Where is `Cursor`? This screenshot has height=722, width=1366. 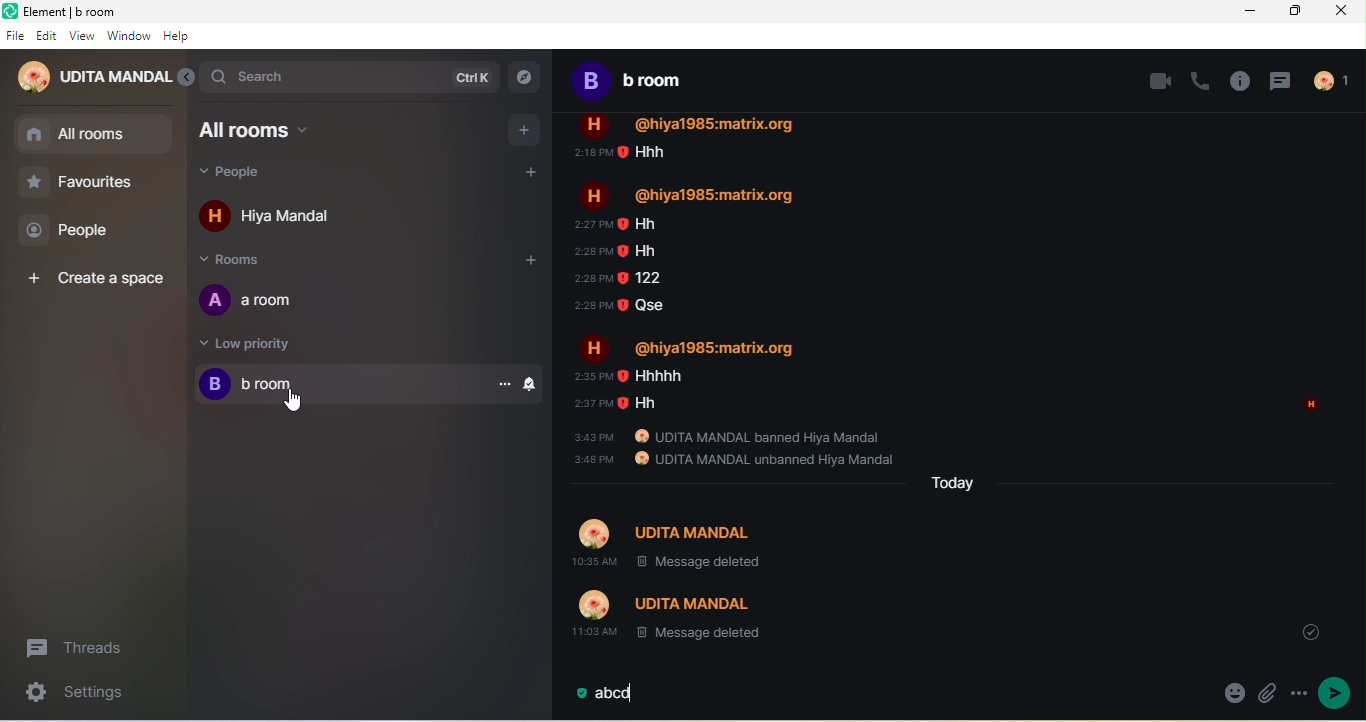 Cursor is located at coordinates (293, 401).